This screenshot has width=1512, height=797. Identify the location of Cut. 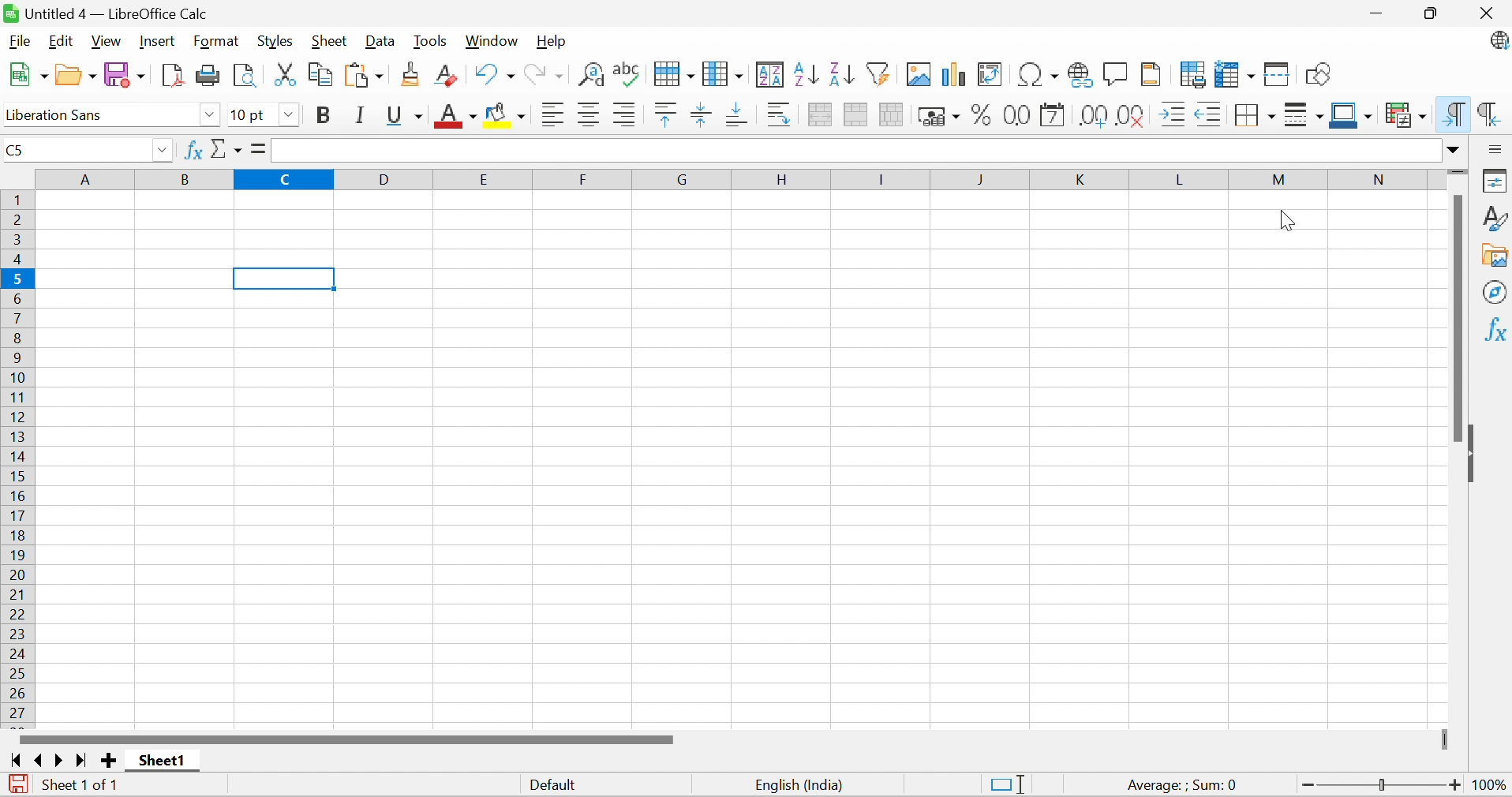
(285, 75).